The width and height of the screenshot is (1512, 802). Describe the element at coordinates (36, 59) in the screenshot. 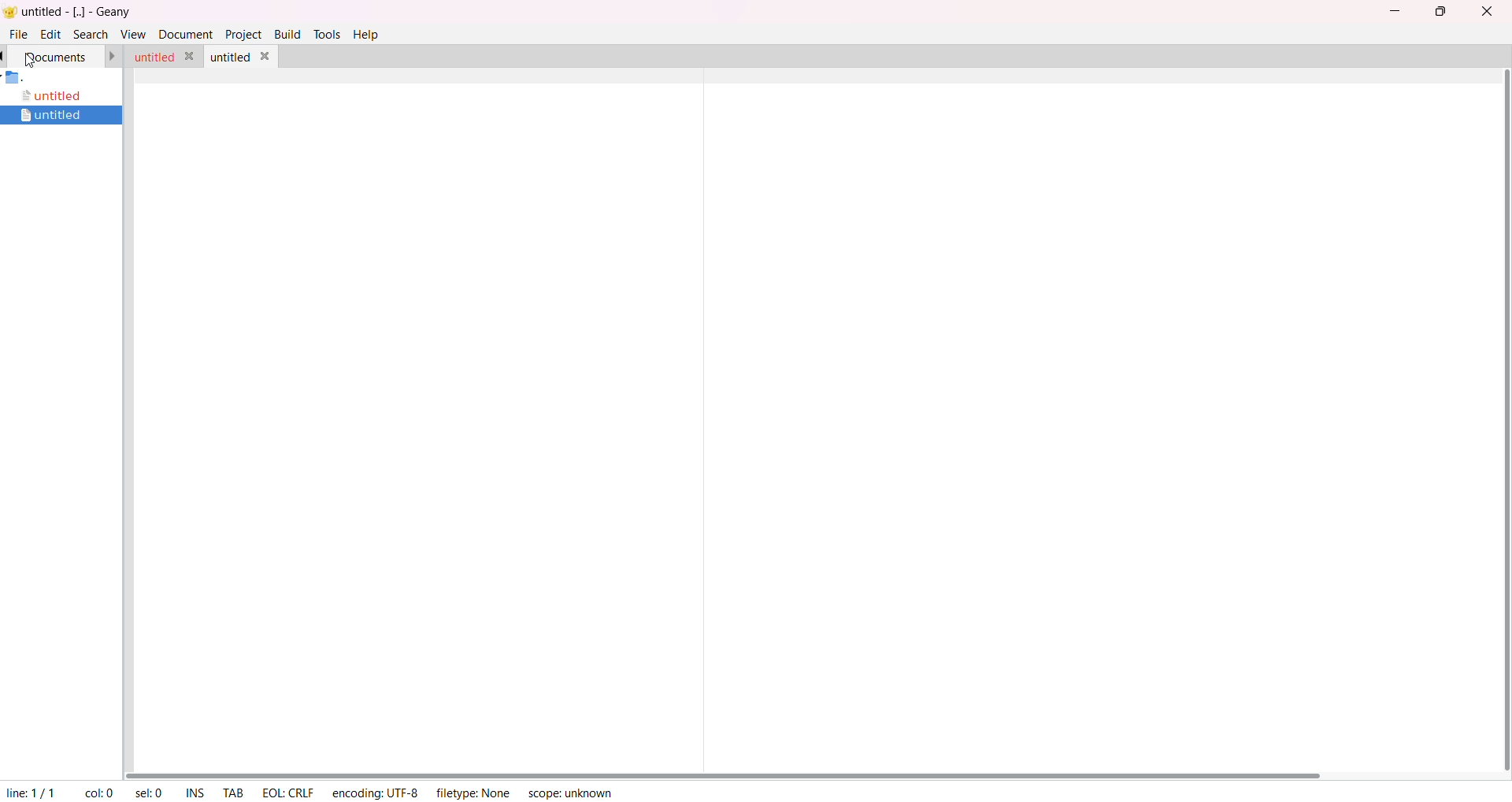

I see `cursor` at that location.